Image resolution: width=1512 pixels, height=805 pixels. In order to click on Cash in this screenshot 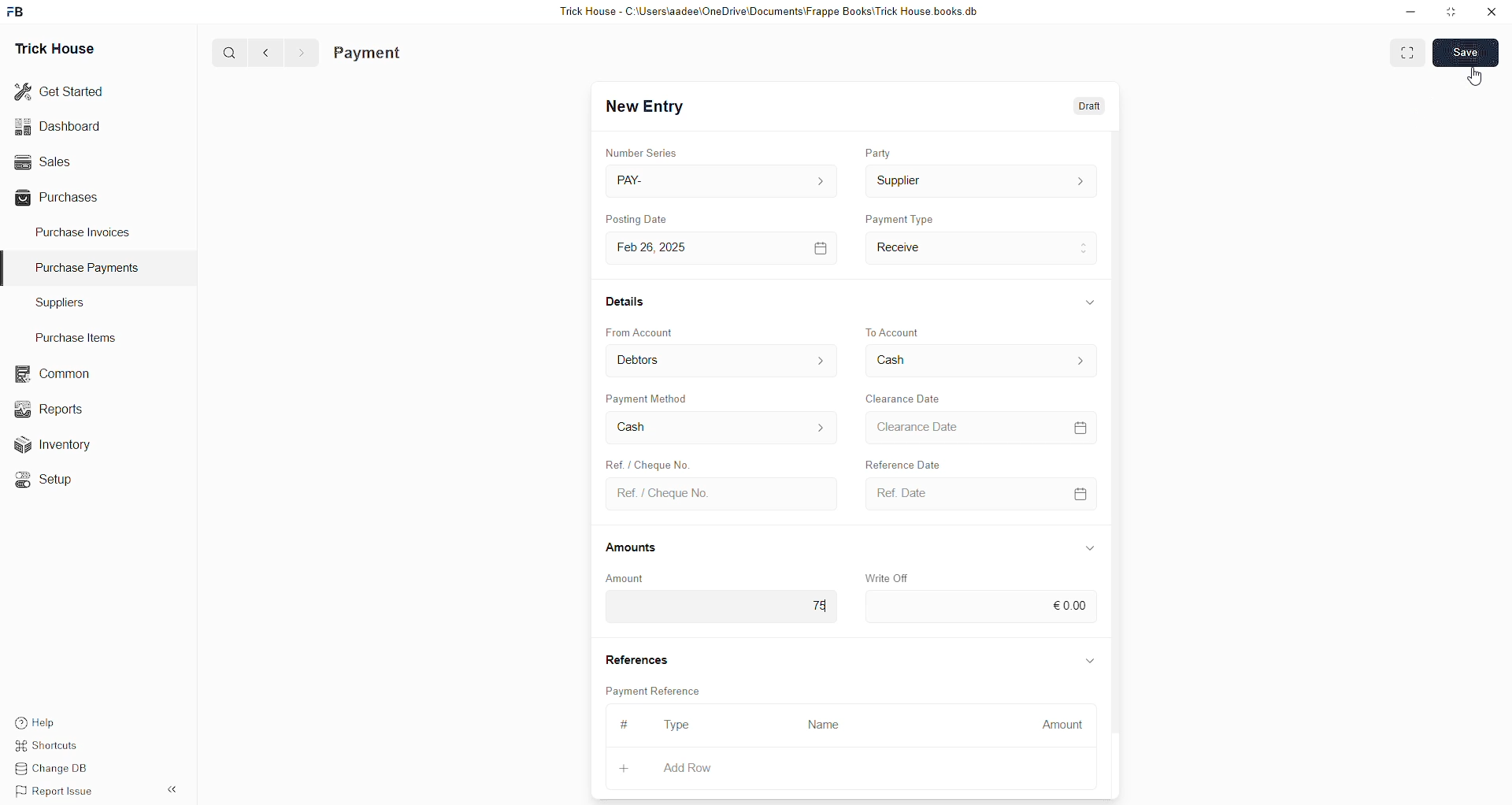, I will do `click(719, 429)`.